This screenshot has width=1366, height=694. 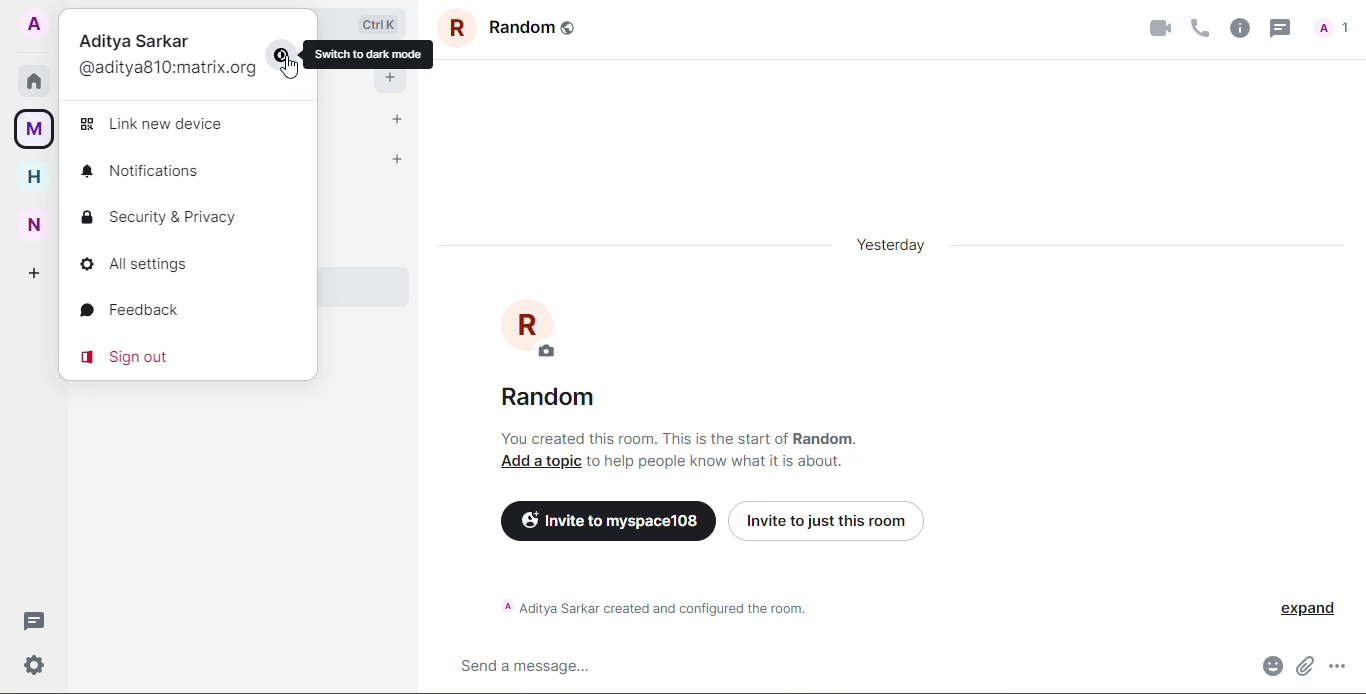 What do you see at coordinates (383, 21) in the screenshot?
I see `Ctrl K` at bounding box center [383, 21].